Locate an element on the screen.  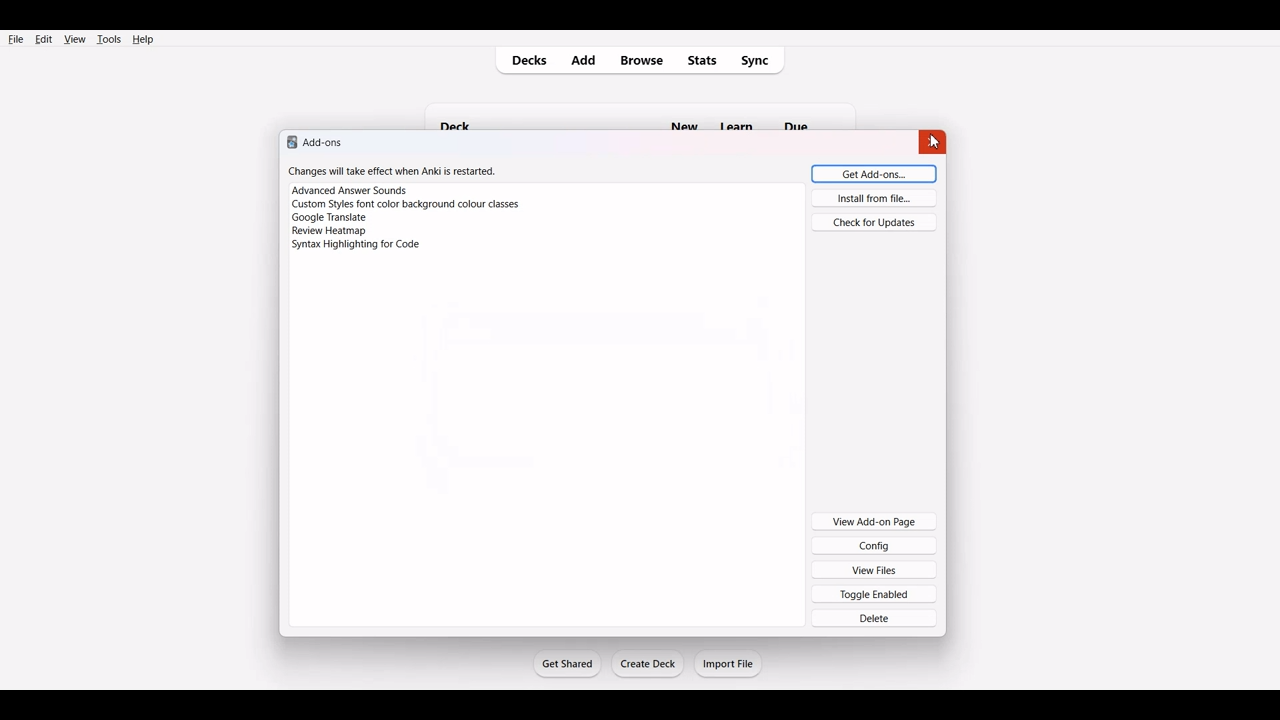
Install from file is located at coordinates (873, 198).